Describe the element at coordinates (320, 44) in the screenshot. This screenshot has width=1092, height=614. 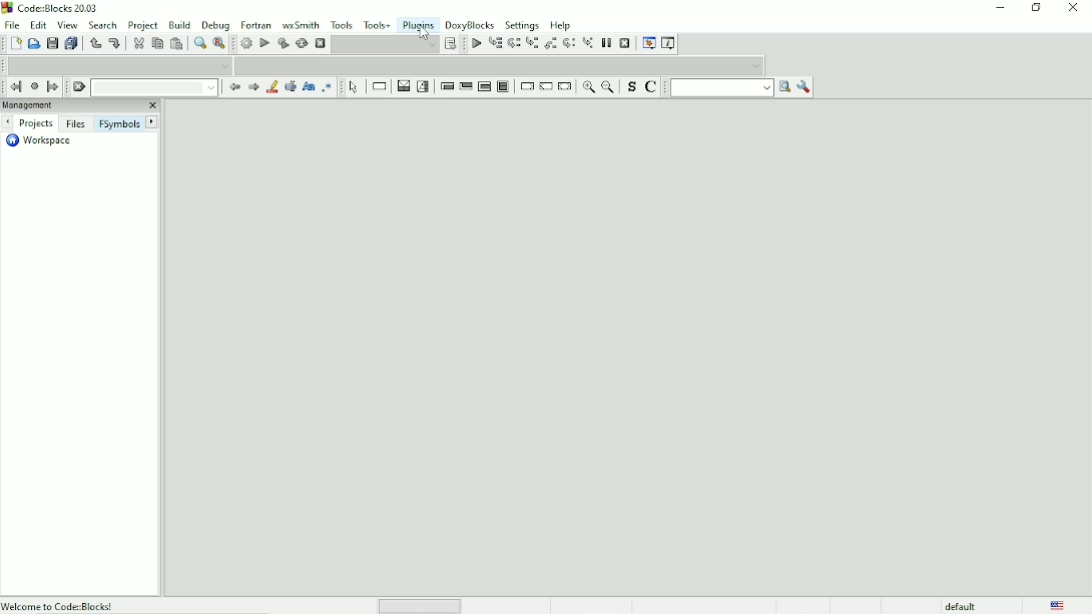
I see `Abort` at that location.